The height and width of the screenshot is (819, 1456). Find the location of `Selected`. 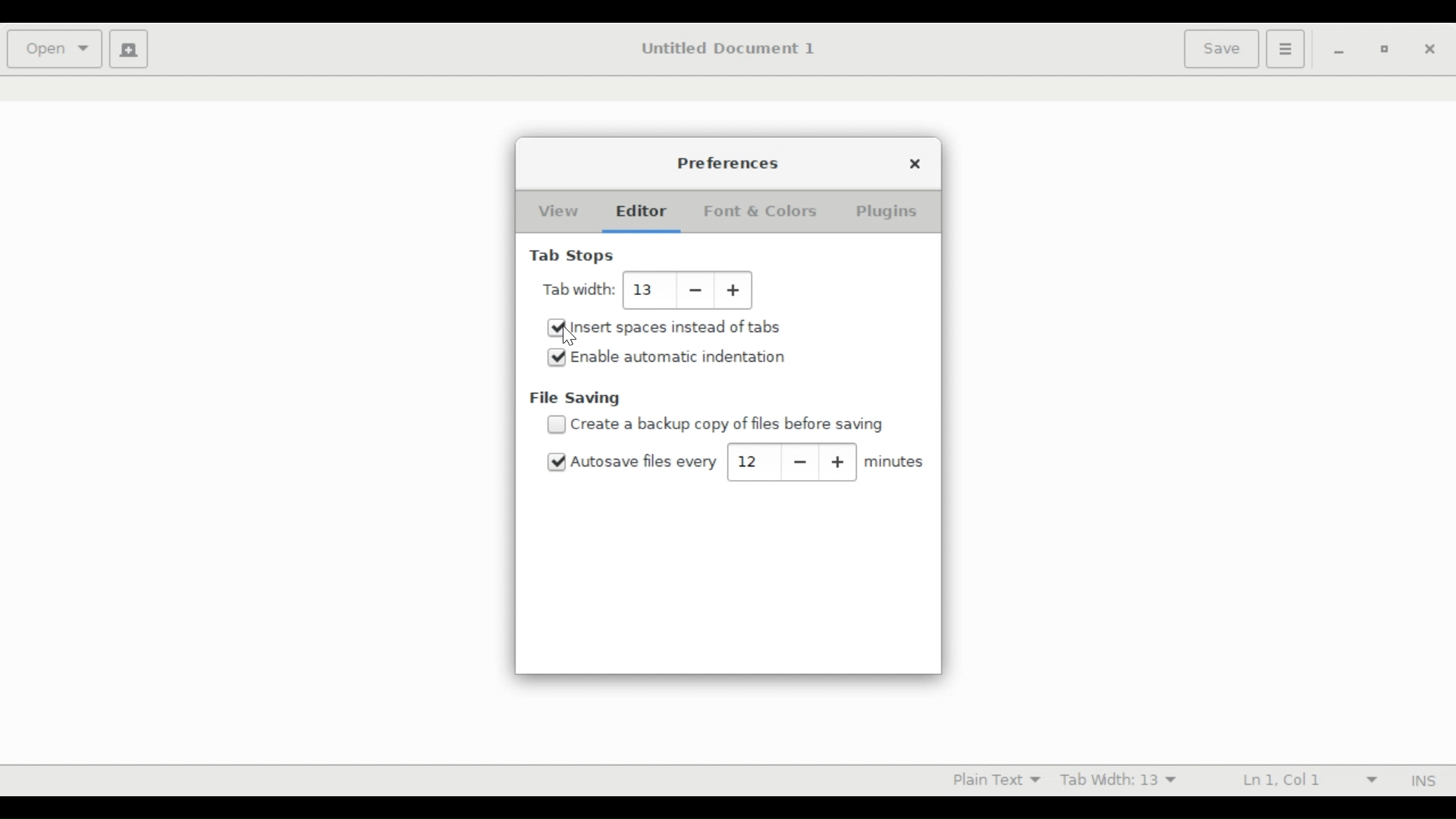

Selected is located at coordinates (558, 463).